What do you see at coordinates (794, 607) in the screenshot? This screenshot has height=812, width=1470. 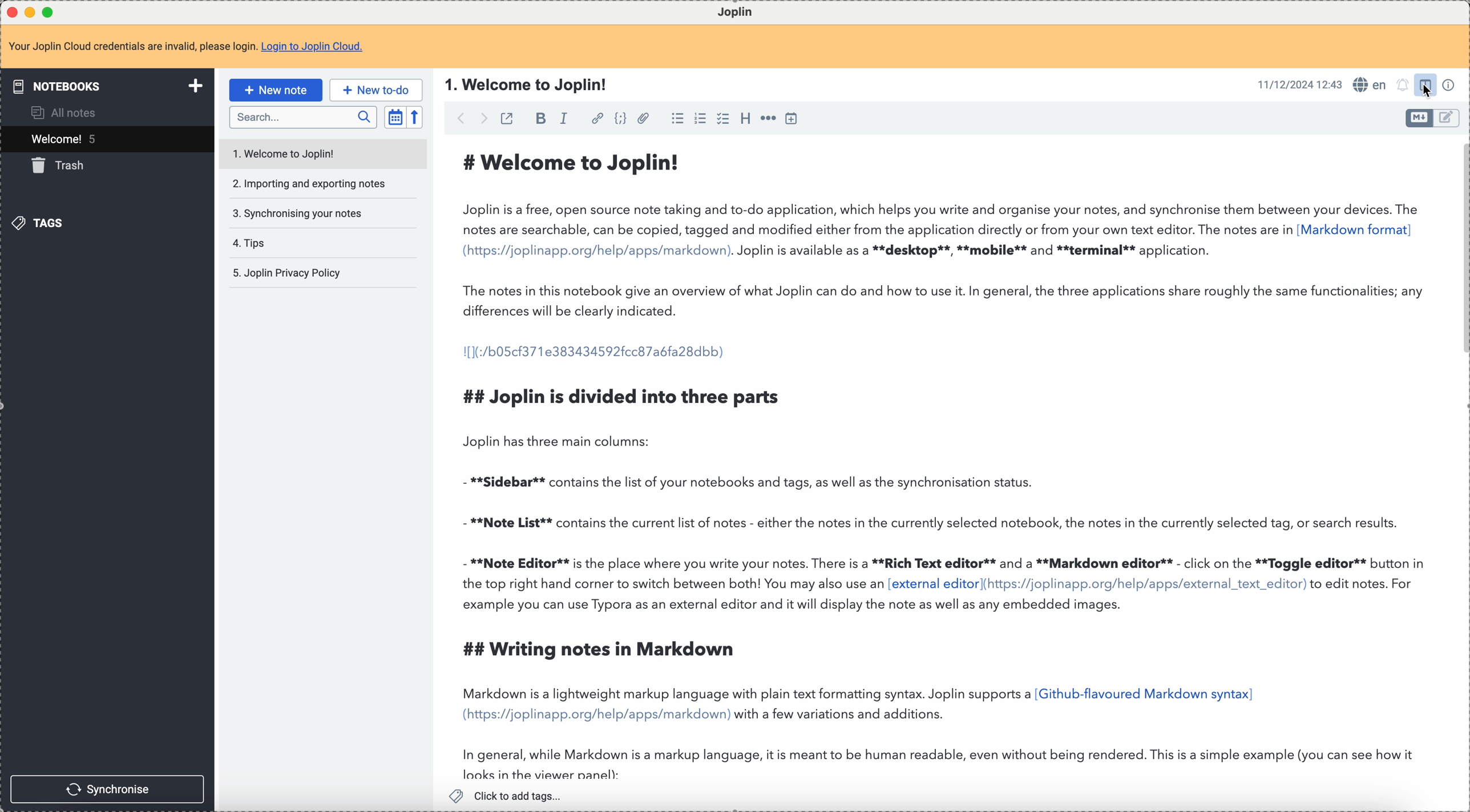 I see `example you can use Typora as an external editor and it will display the note as well as any embedded images.` at bounding box center [794, 607].